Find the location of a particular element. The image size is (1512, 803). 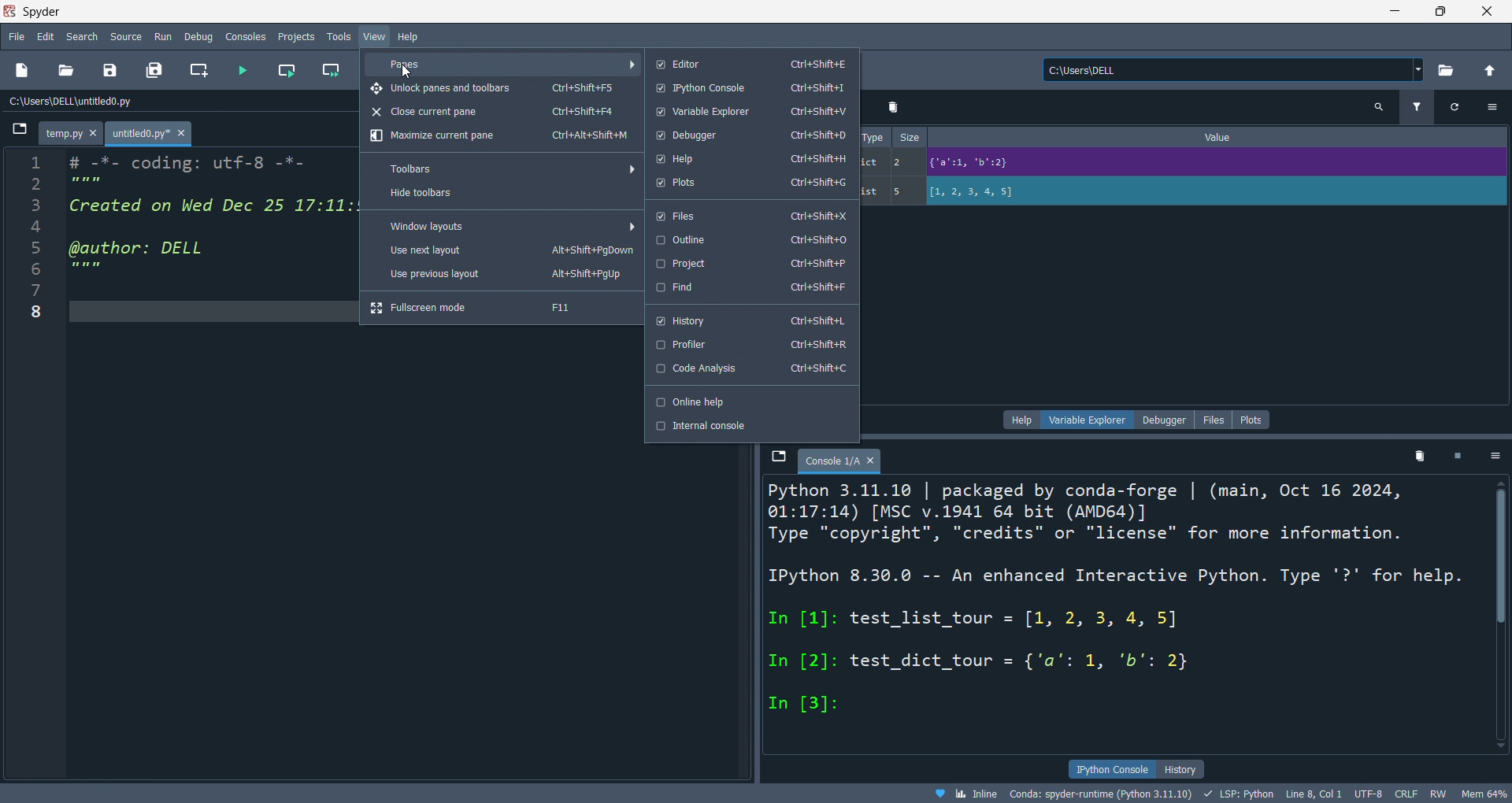

refresh is located at coordinates (1451, 107).